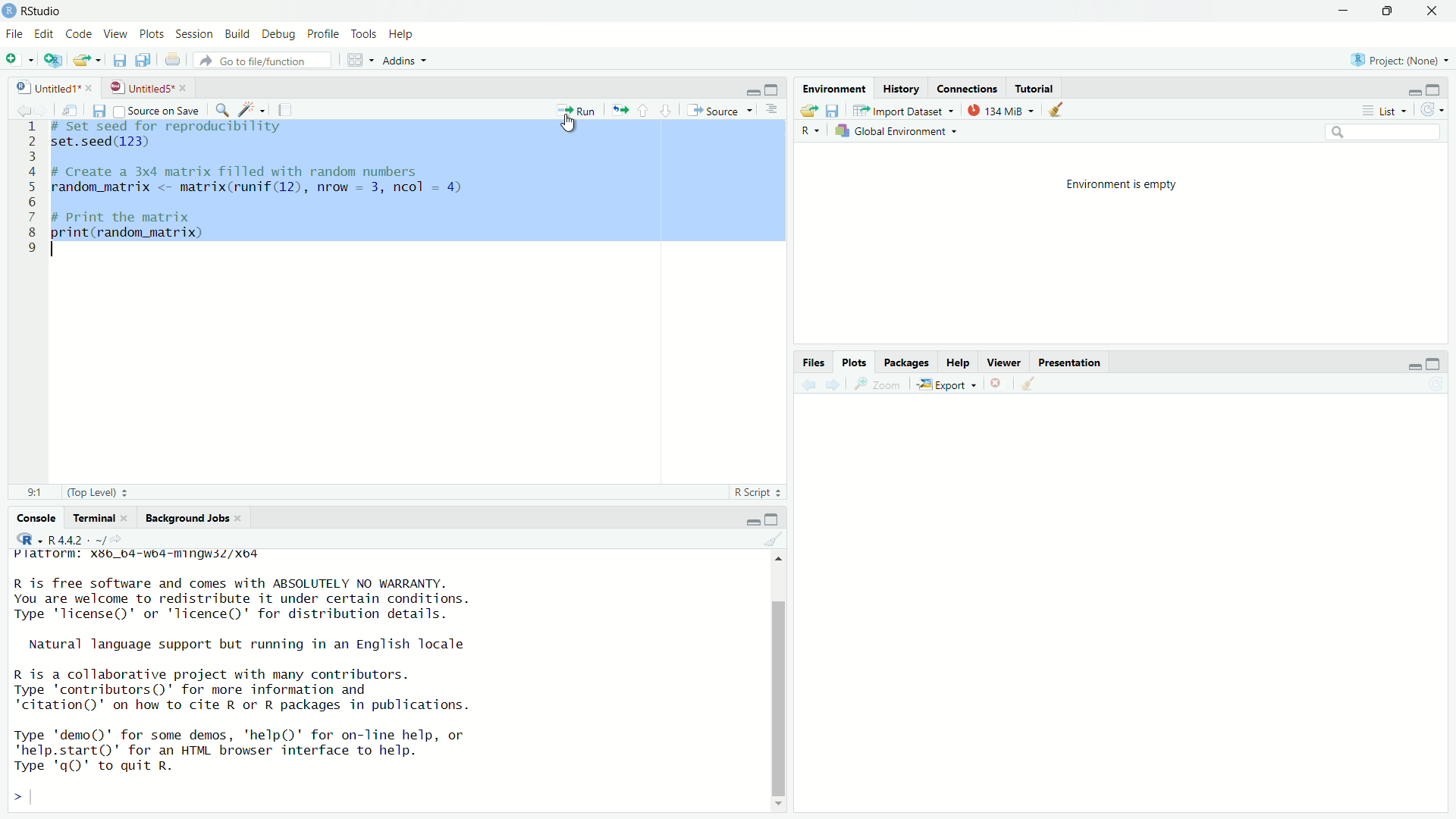 The height and width of the screenshot is (819, 1456). What do you see at coordinates (816, 363) in the screenshot?
I see `Files` at bounding box center [816, 363].